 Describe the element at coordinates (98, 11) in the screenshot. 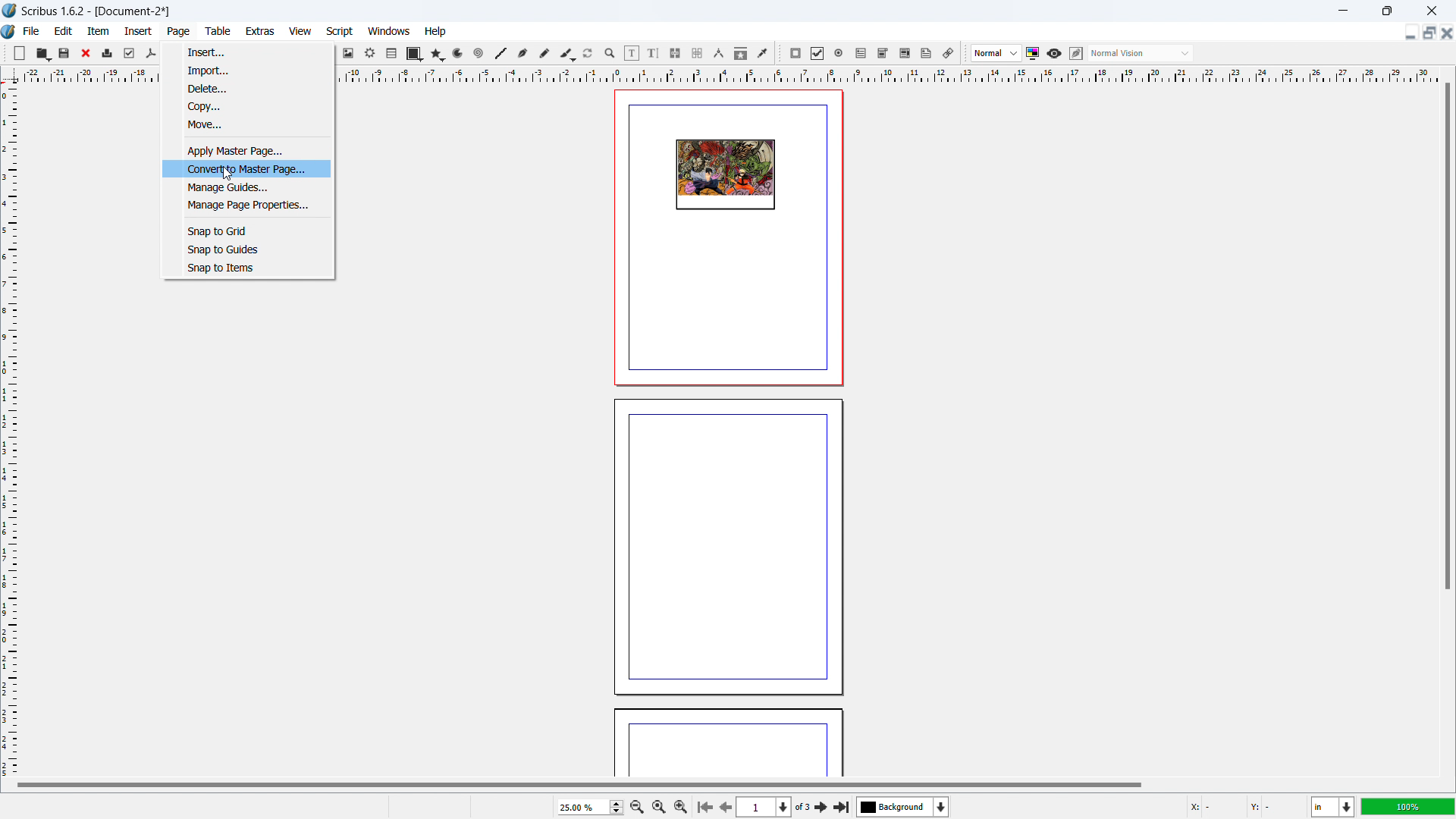

I see `Scribus 1.6.2- [Document-2]` at that location.